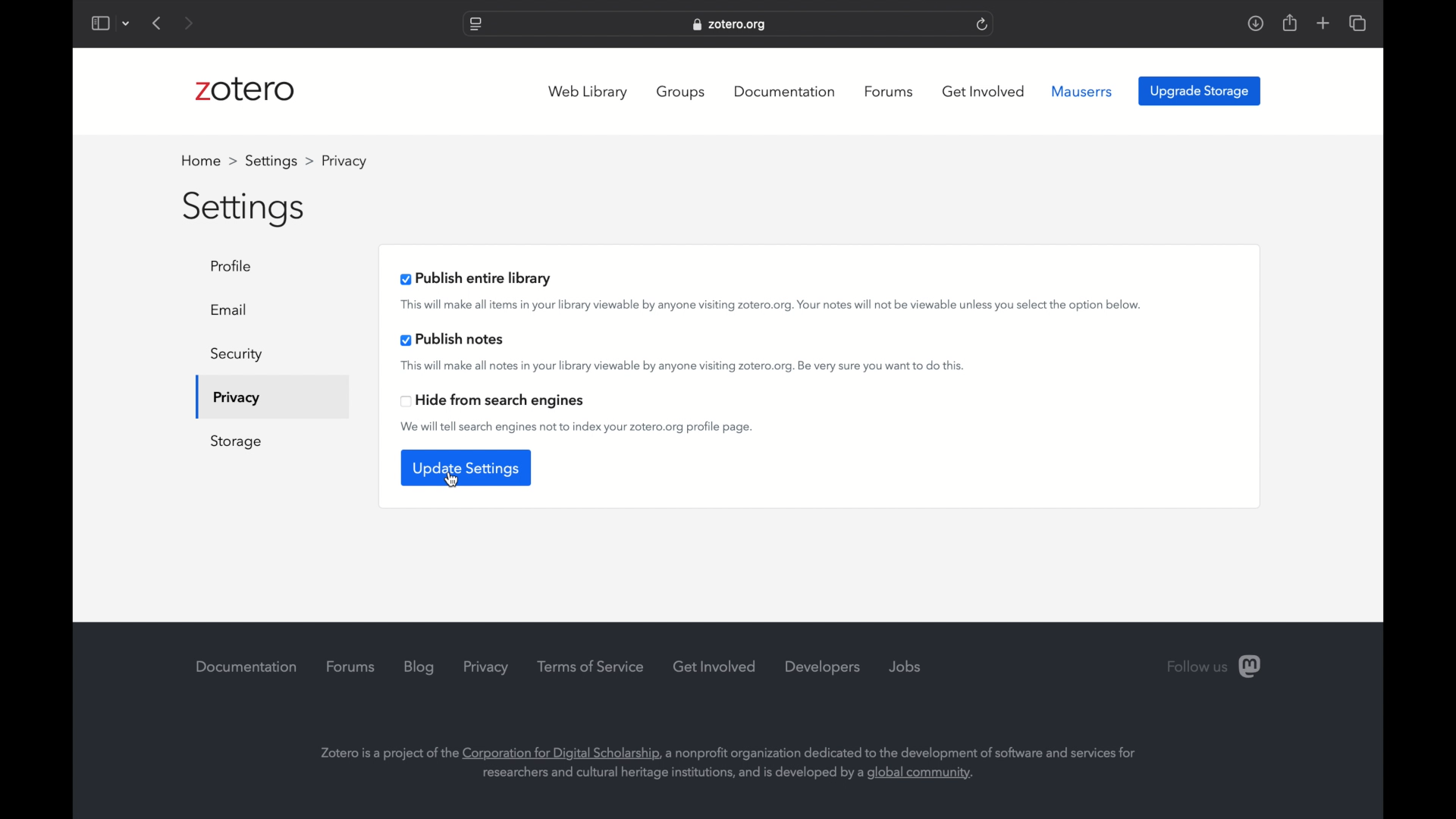 This screenshot has width=1456, height=819. What do you see at coordinates (715, 666) in the screenshot?
I see `get involved` at bounding box center [715, 666].